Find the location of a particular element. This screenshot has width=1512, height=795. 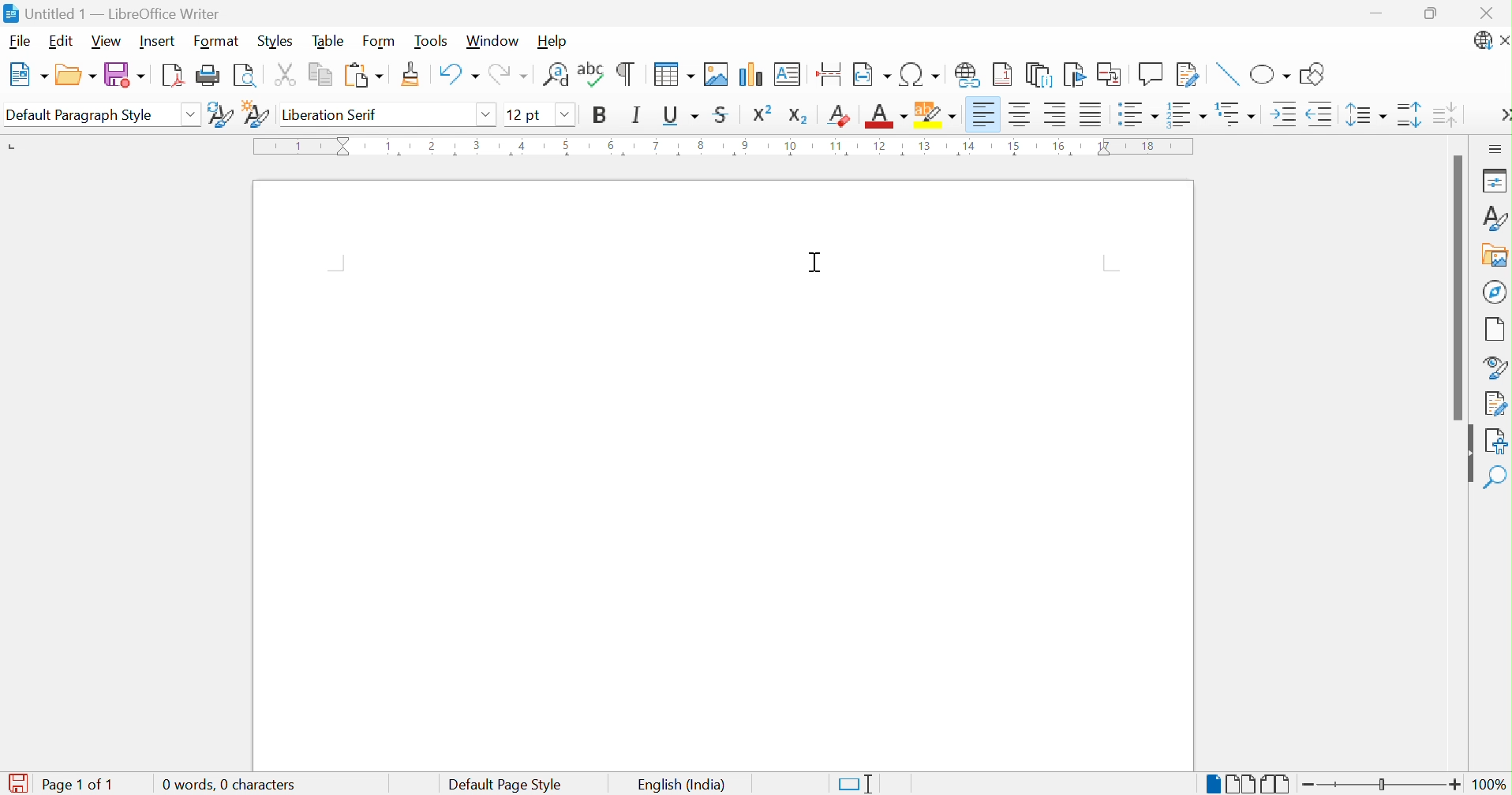

Zoom in is located at coordinates (1454, 784).